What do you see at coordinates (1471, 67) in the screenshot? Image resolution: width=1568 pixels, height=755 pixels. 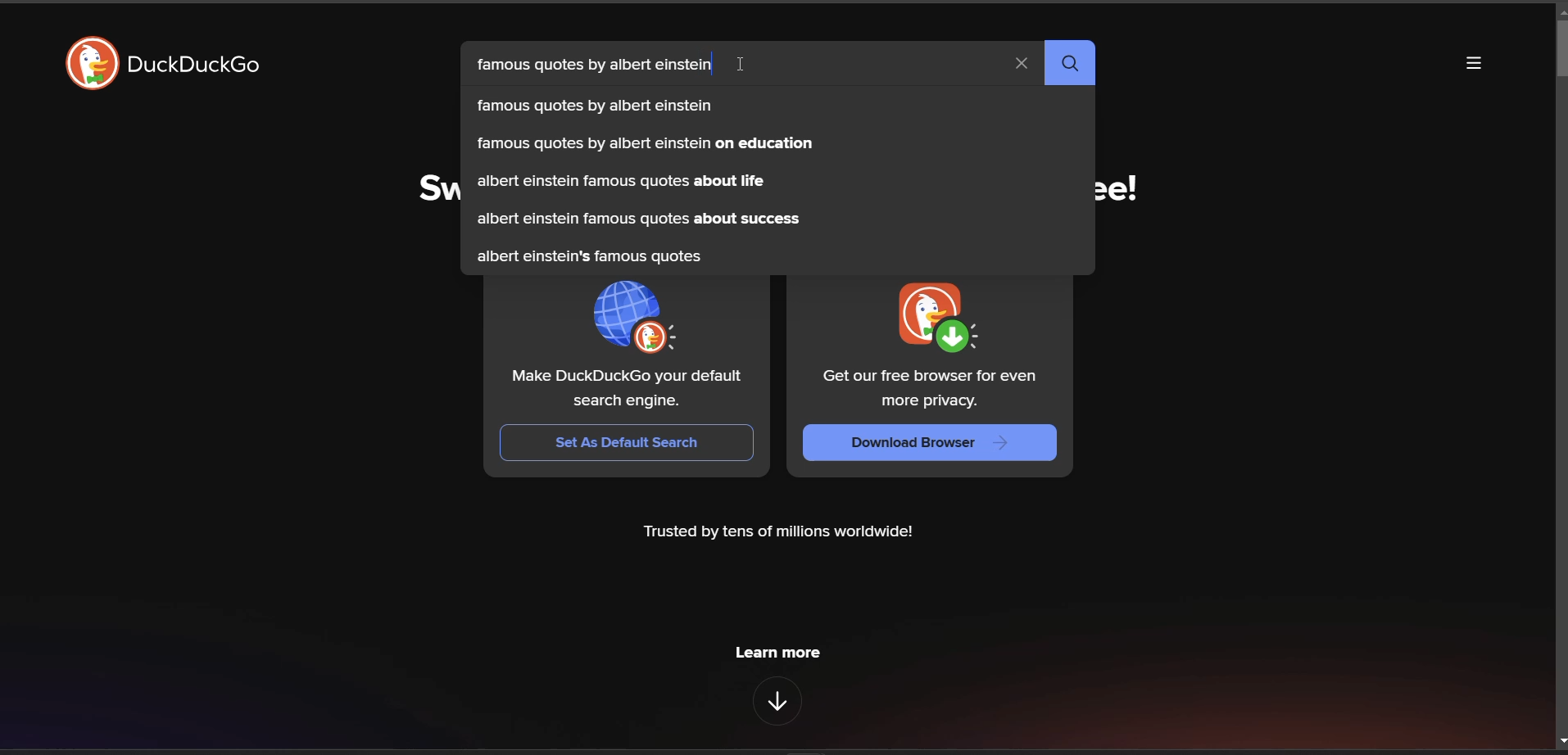 I see `more options` at bounding box center [1471, 67].